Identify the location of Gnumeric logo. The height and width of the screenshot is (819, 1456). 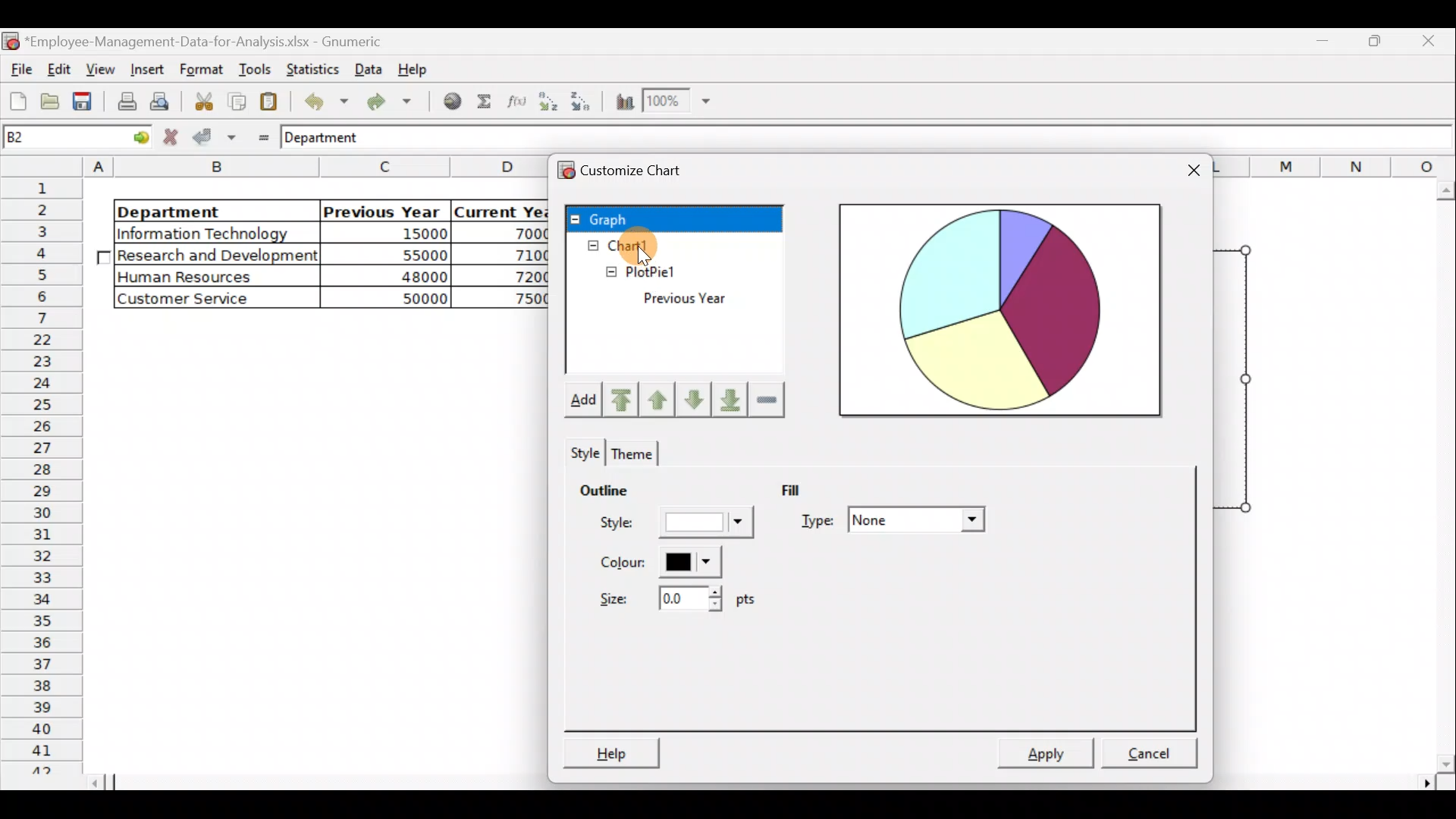
(11, 40).